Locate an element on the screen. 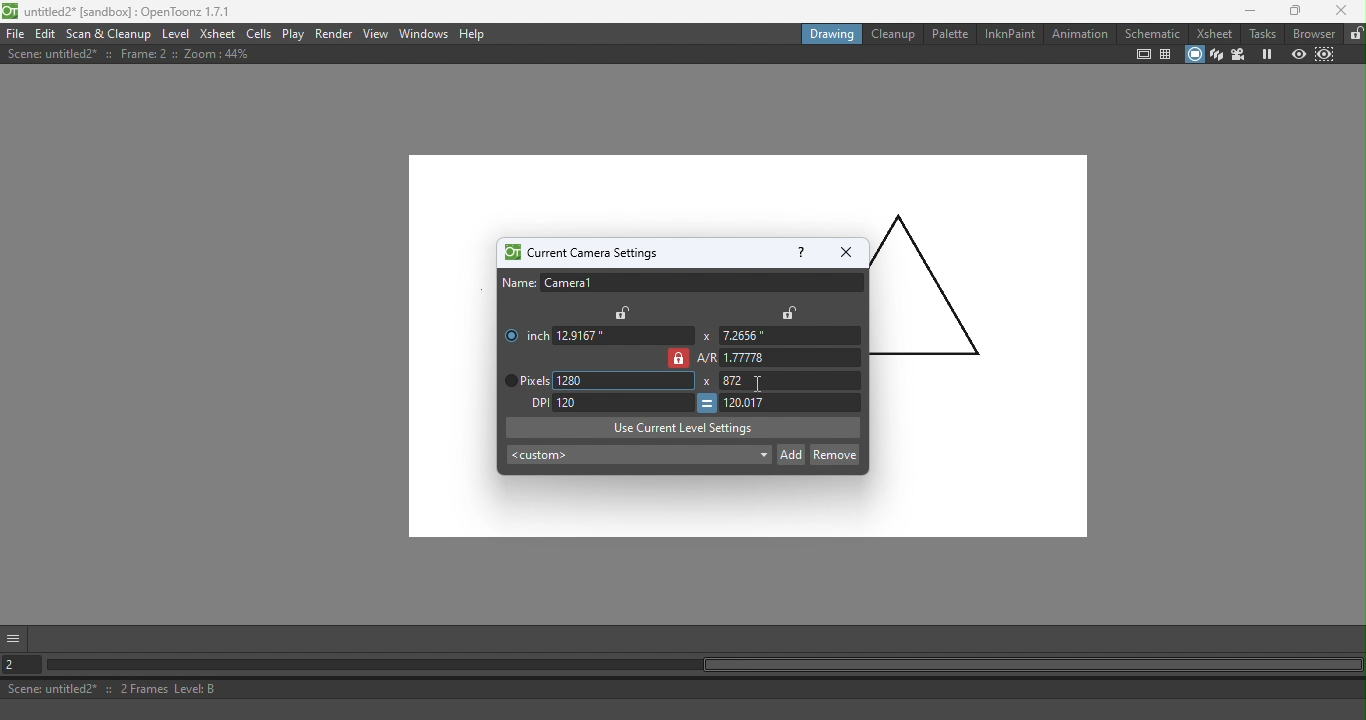  Minimize is located at coordinates (1243, 11).